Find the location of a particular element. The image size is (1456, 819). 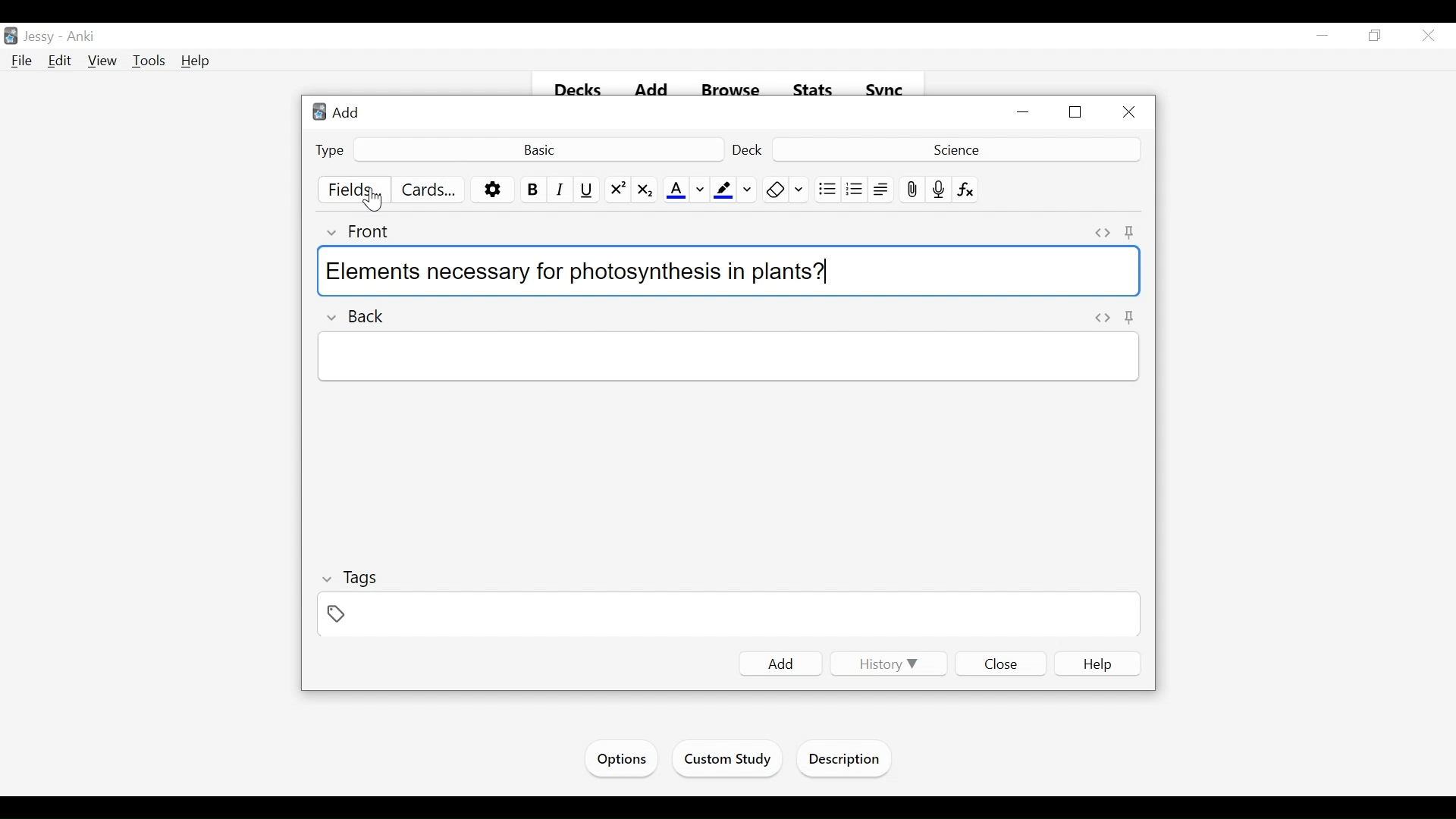

Toggle HTML Editor is located at coordinates (1132, 318).